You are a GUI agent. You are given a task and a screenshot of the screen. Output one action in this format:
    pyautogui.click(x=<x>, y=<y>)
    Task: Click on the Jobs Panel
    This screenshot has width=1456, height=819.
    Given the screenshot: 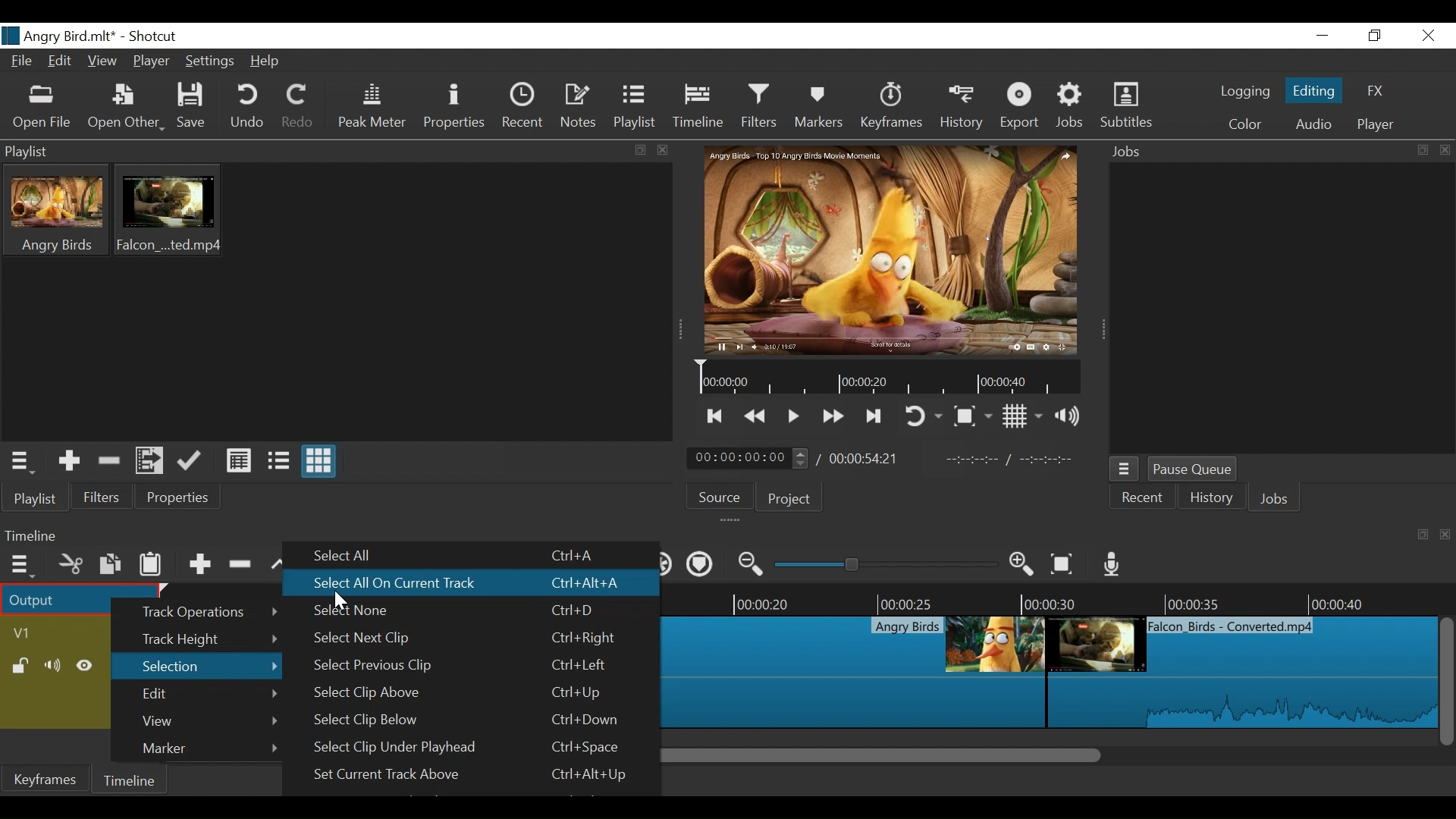 What is the action you would take?
    pyautogui.click(x=1278, y=152)
    